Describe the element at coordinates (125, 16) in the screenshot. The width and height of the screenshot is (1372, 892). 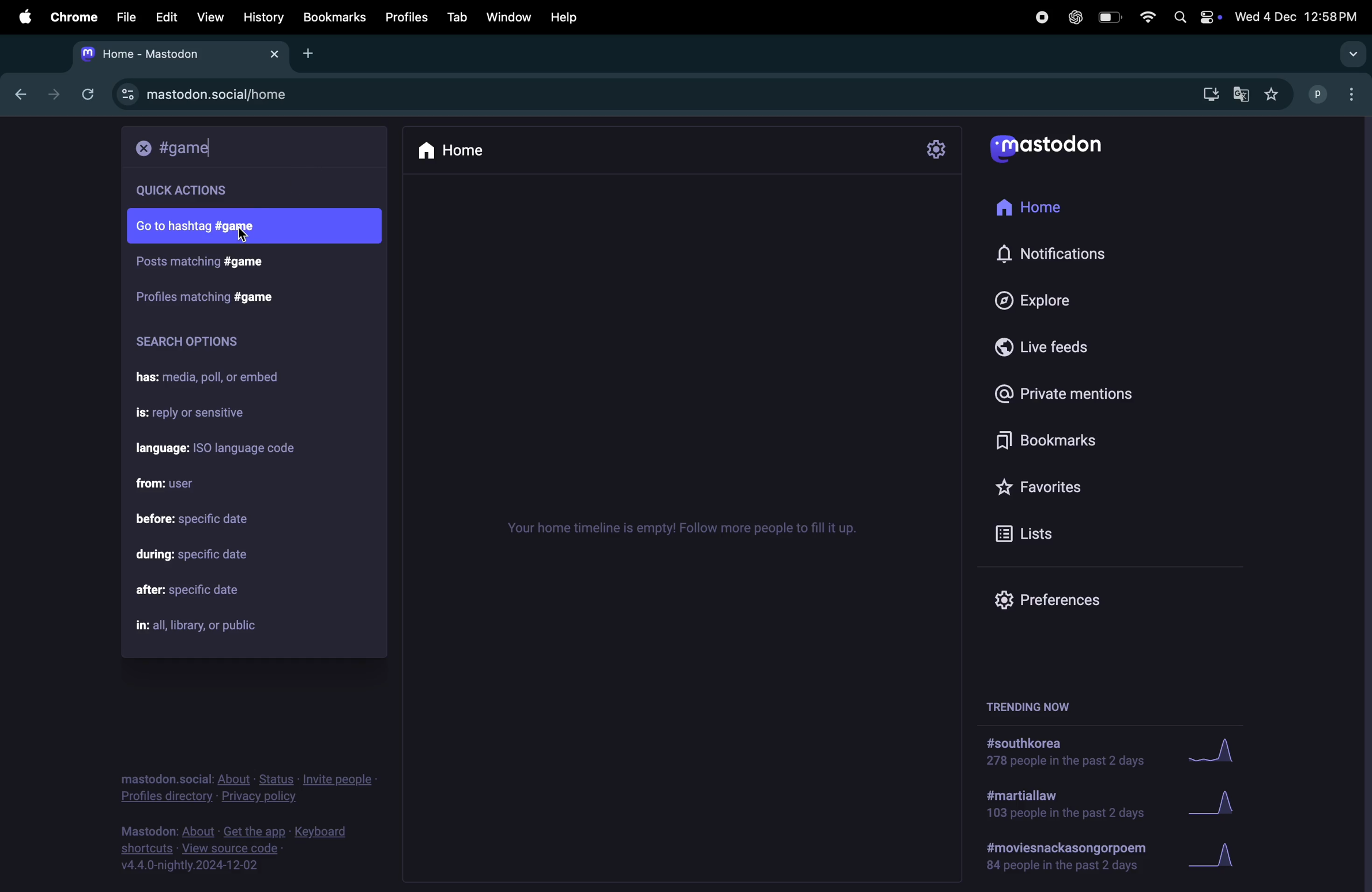
I see `file` at that location.